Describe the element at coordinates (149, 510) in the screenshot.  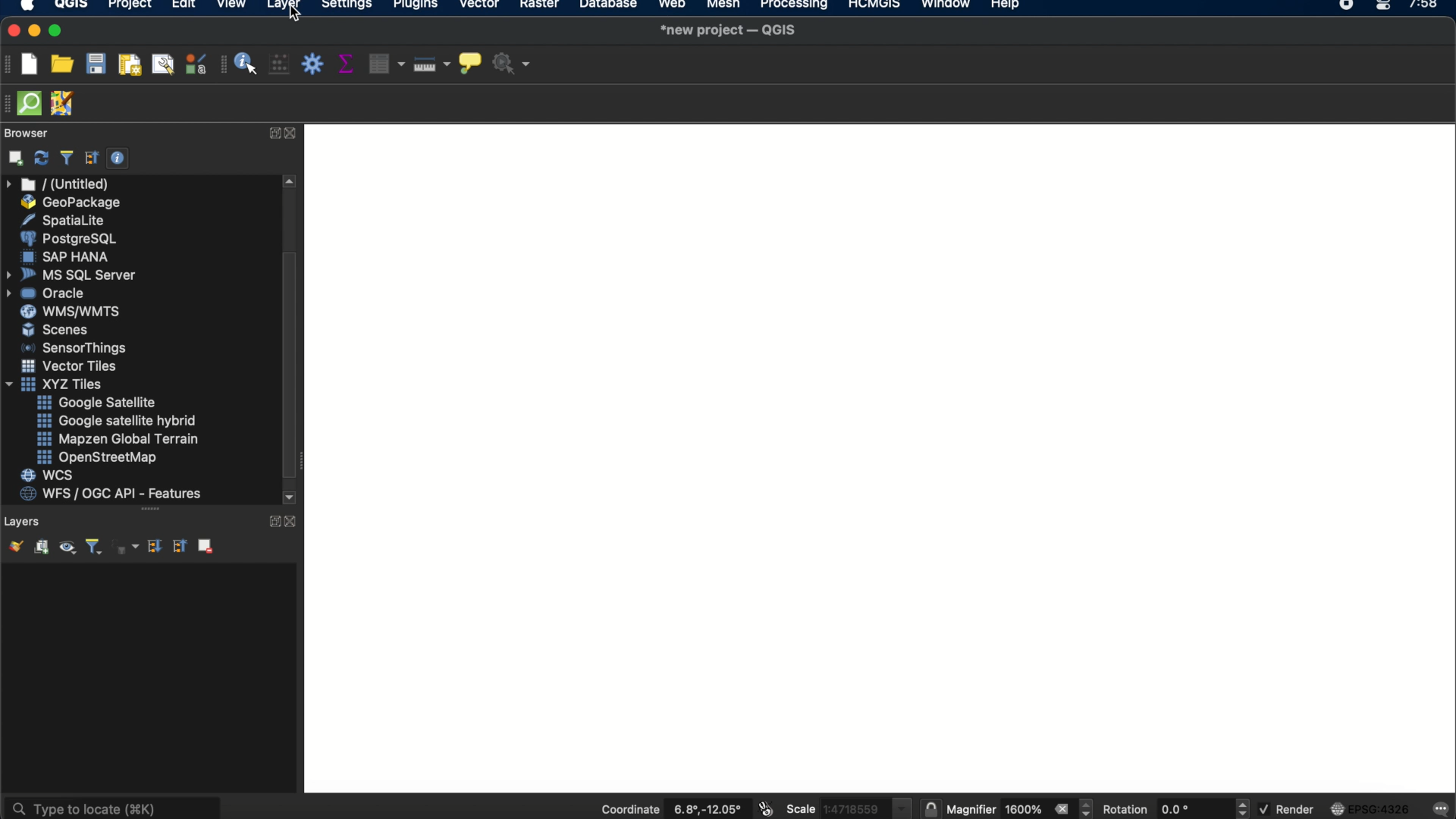
I see `more` at that location.